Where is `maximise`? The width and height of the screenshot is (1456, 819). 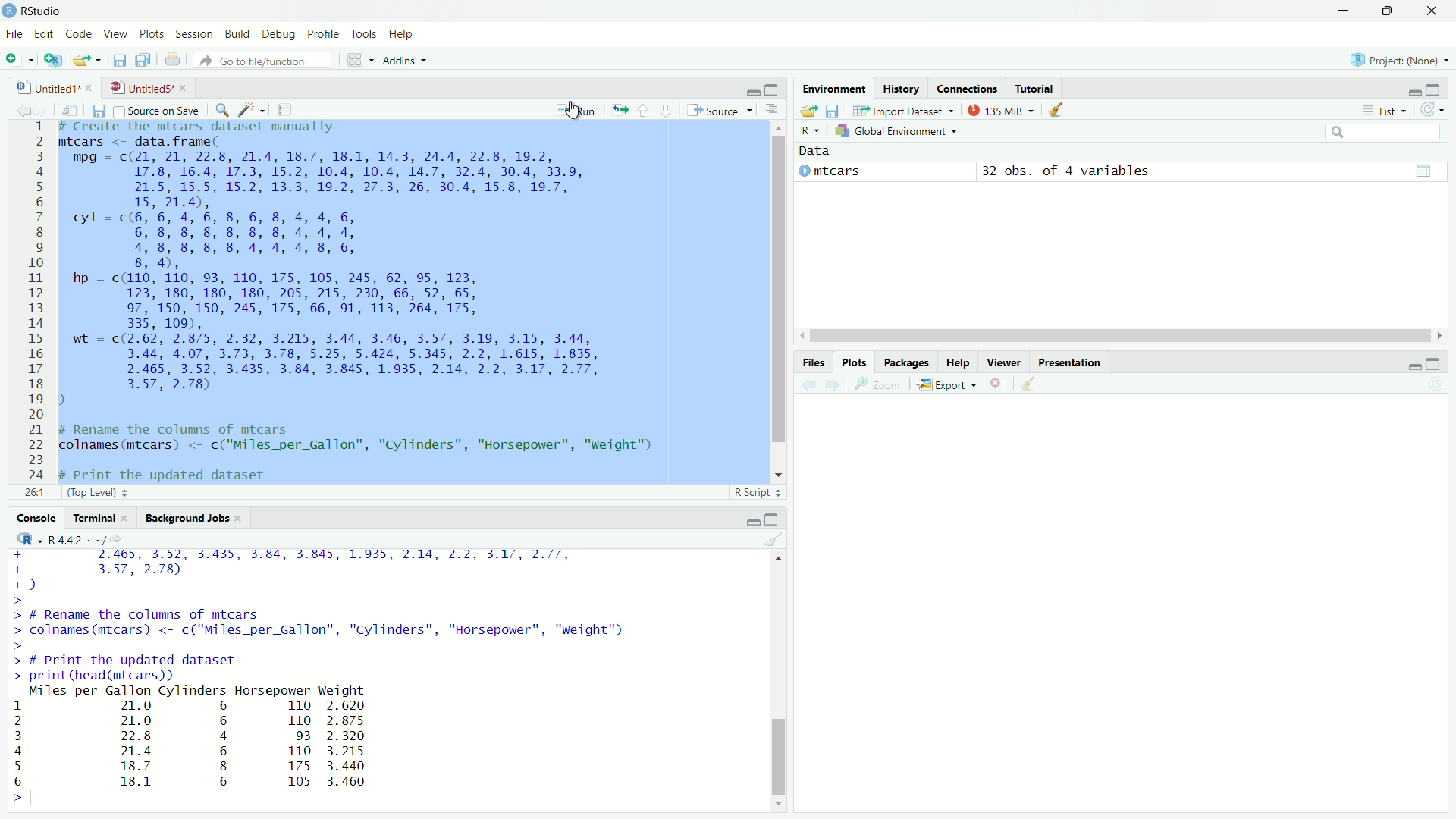 maximise is located at coordinates (1434, 89).